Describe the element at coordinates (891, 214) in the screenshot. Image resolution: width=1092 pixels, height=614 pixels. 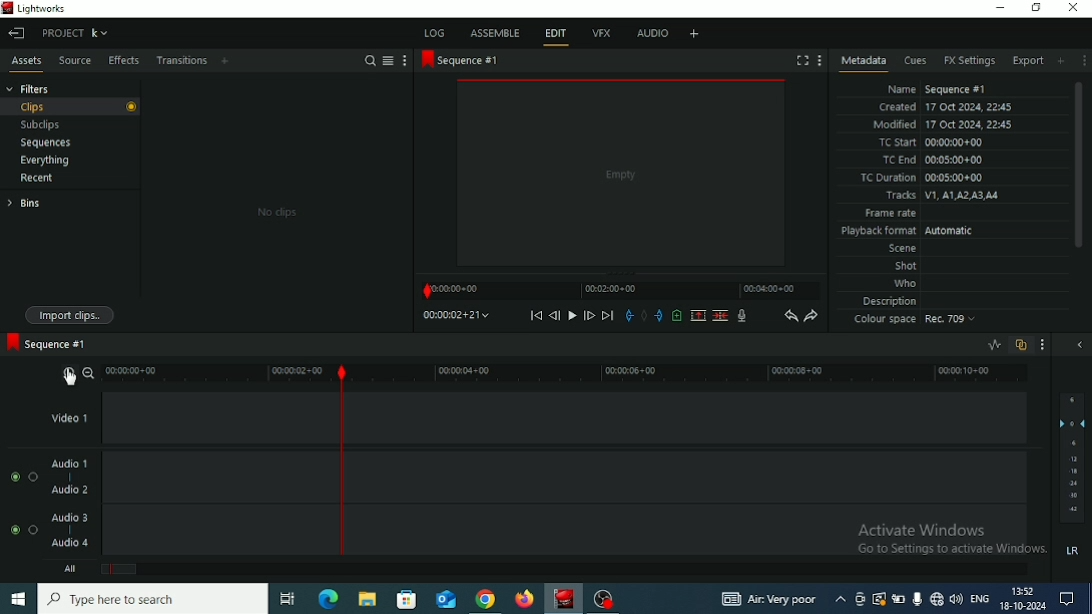
I see `Frame rate` at that location.